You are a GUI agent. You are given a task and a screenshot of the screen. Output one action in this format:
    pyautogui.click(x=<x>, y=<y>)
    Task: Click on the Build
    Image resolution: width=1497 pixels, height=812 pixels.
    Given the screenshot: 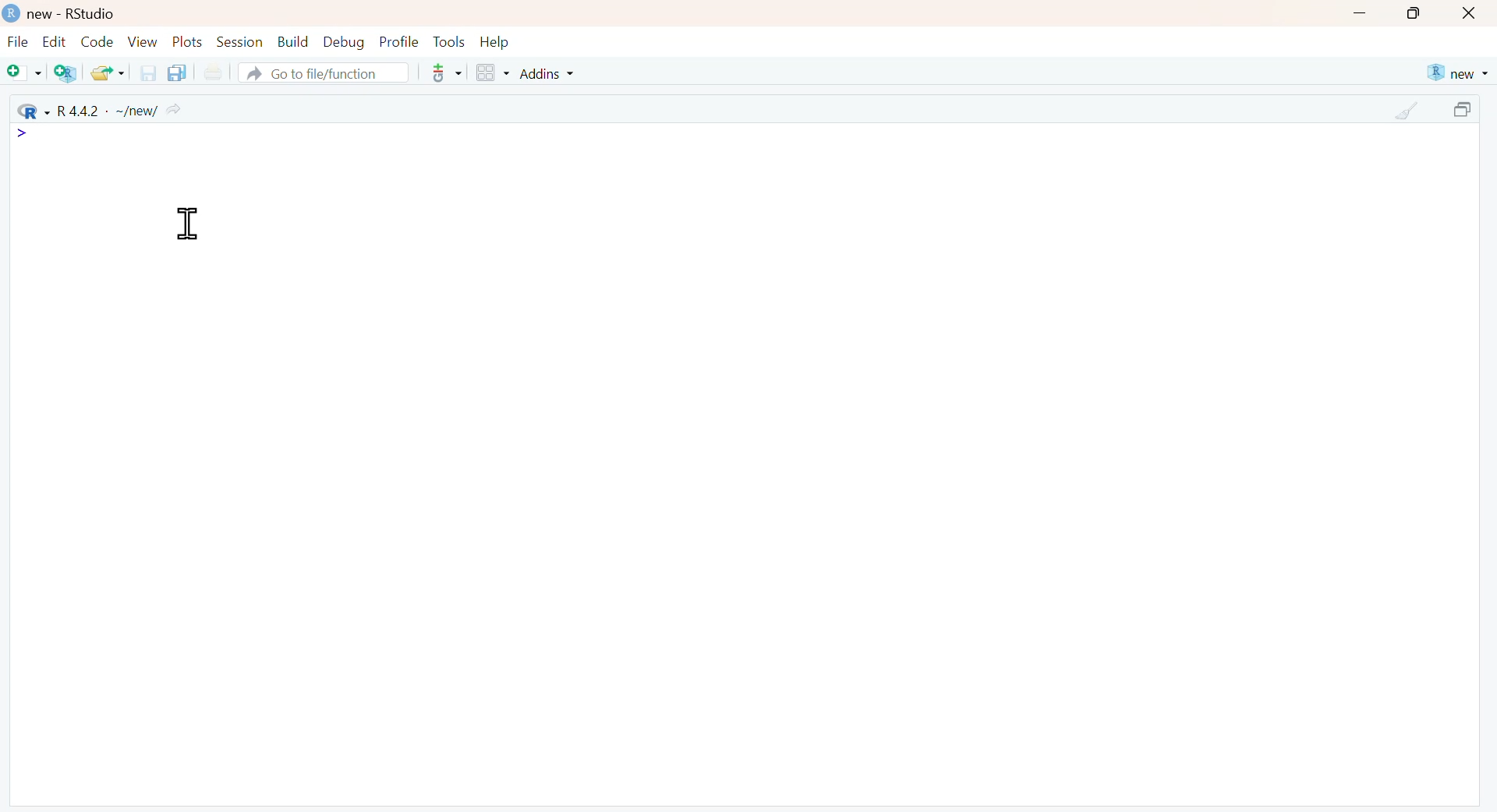 What is the action you would take?
    pyautogui.click(x=294, y=42)
    